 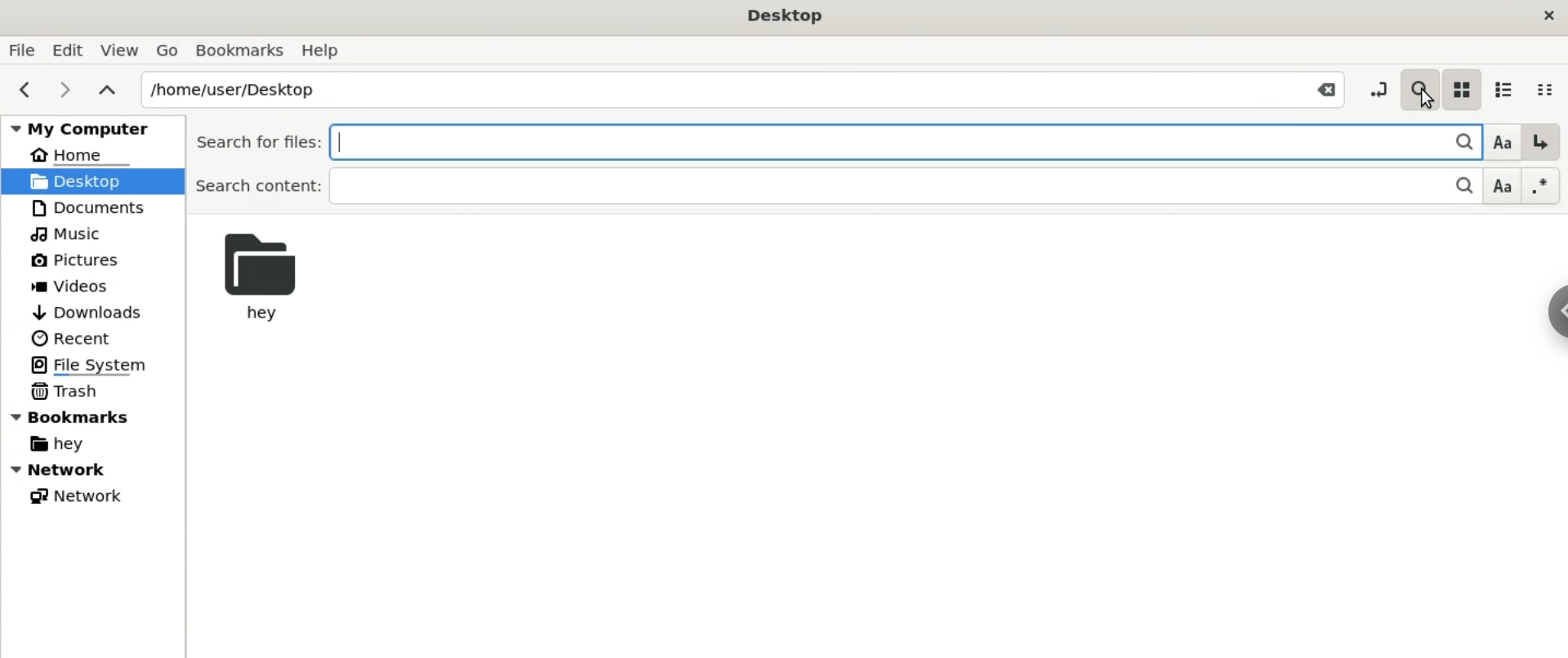 I want to click on Previous, so click(x=21, y=90).